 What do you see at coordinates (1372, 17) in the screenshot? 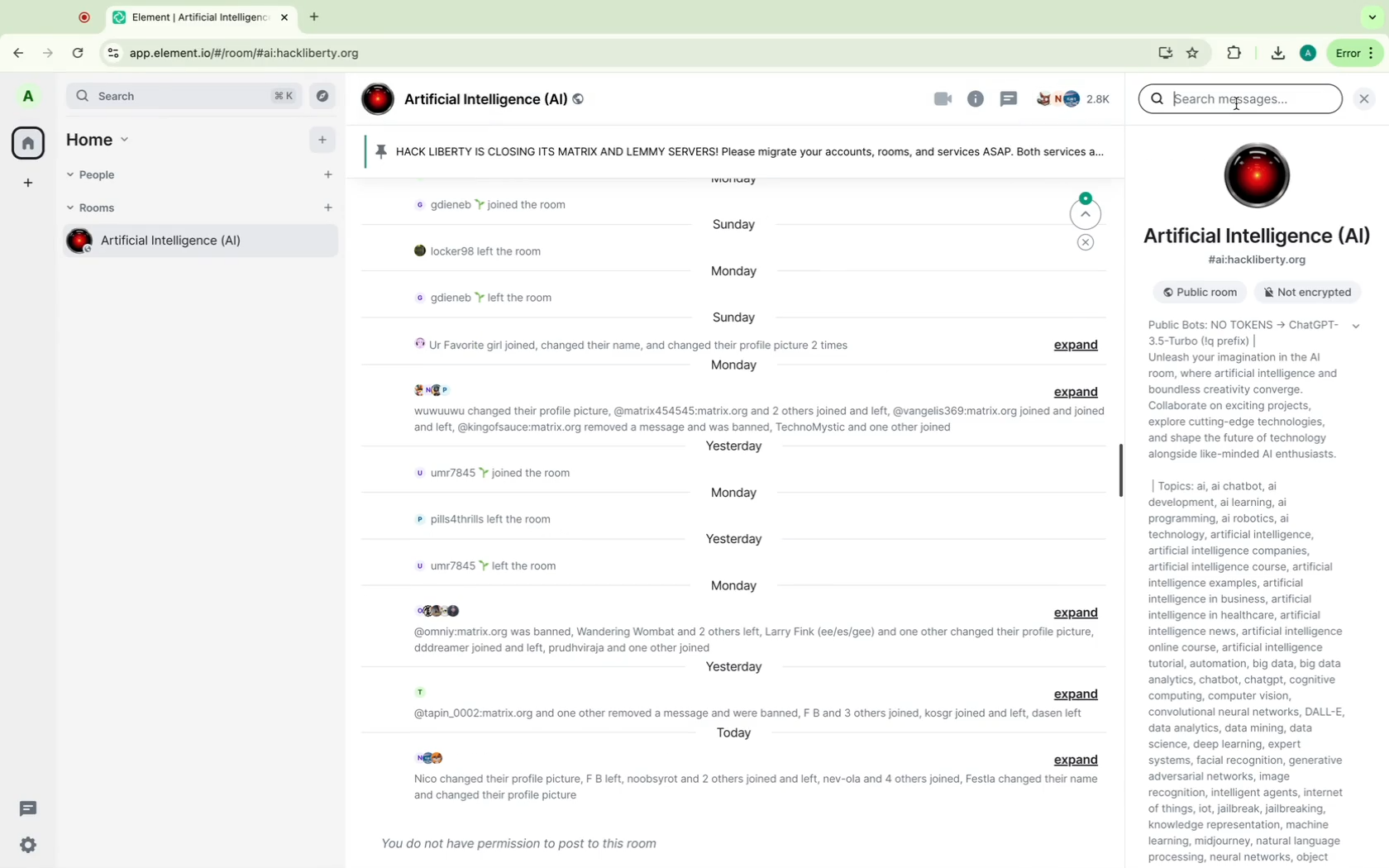
I see `search tabs` at bounding box center [1372, 17].